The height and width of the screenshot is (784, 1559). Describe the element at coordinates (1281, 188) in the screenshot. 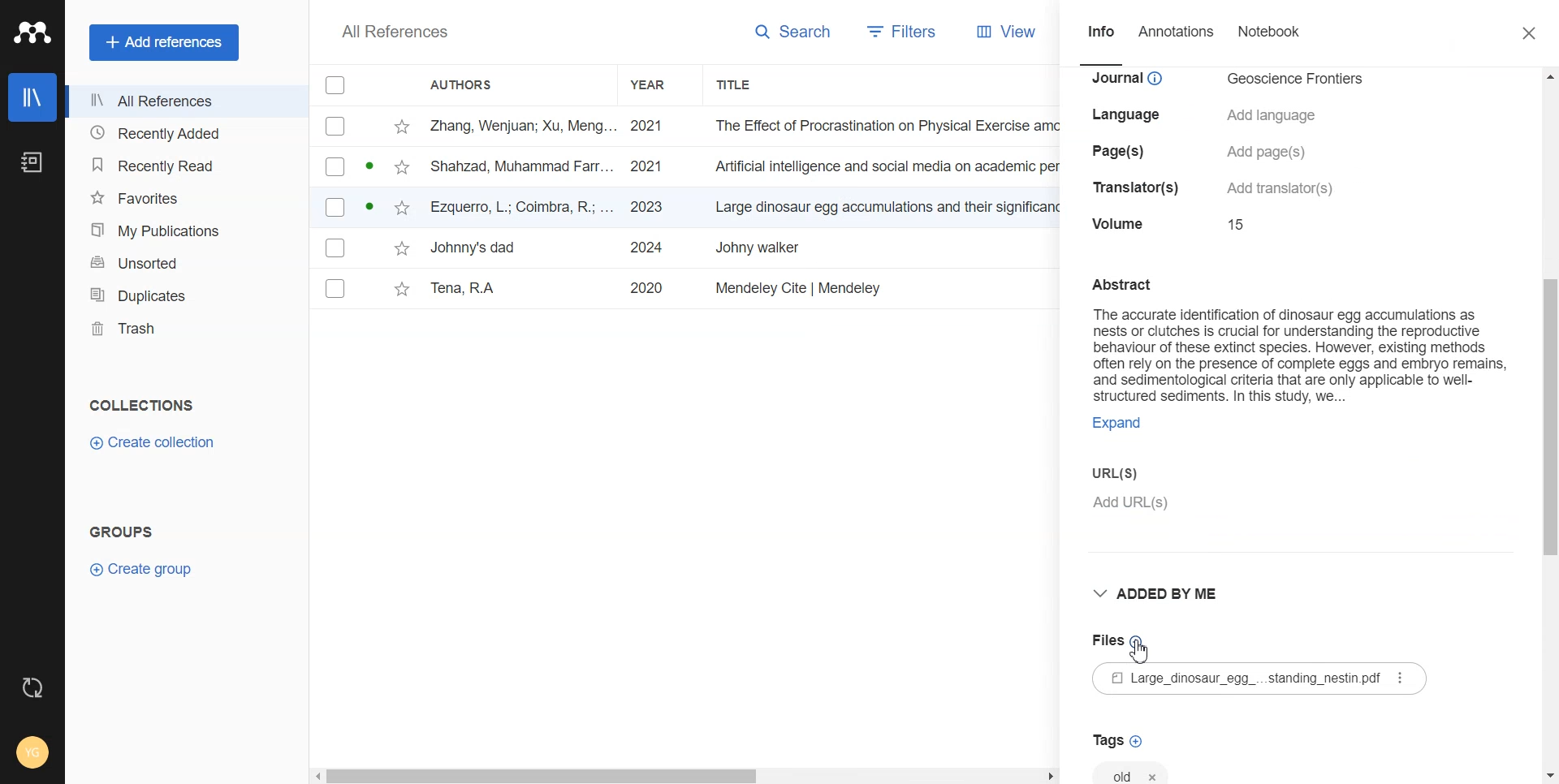

I see `details` at that location.